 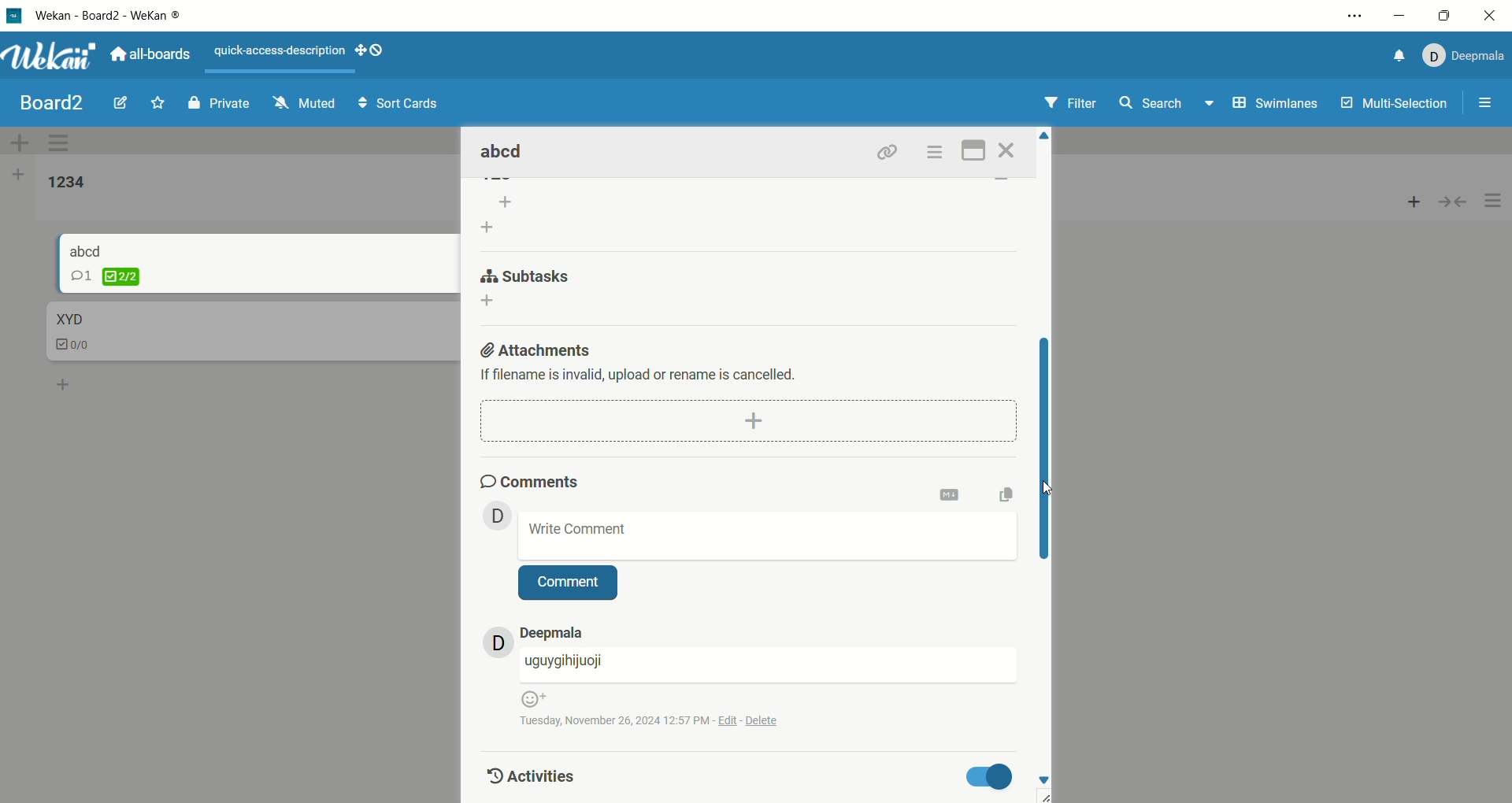 What do you see at coordinates (538, 346) in the screenshot?
I see `attachments` at bounding box center [538, 346].